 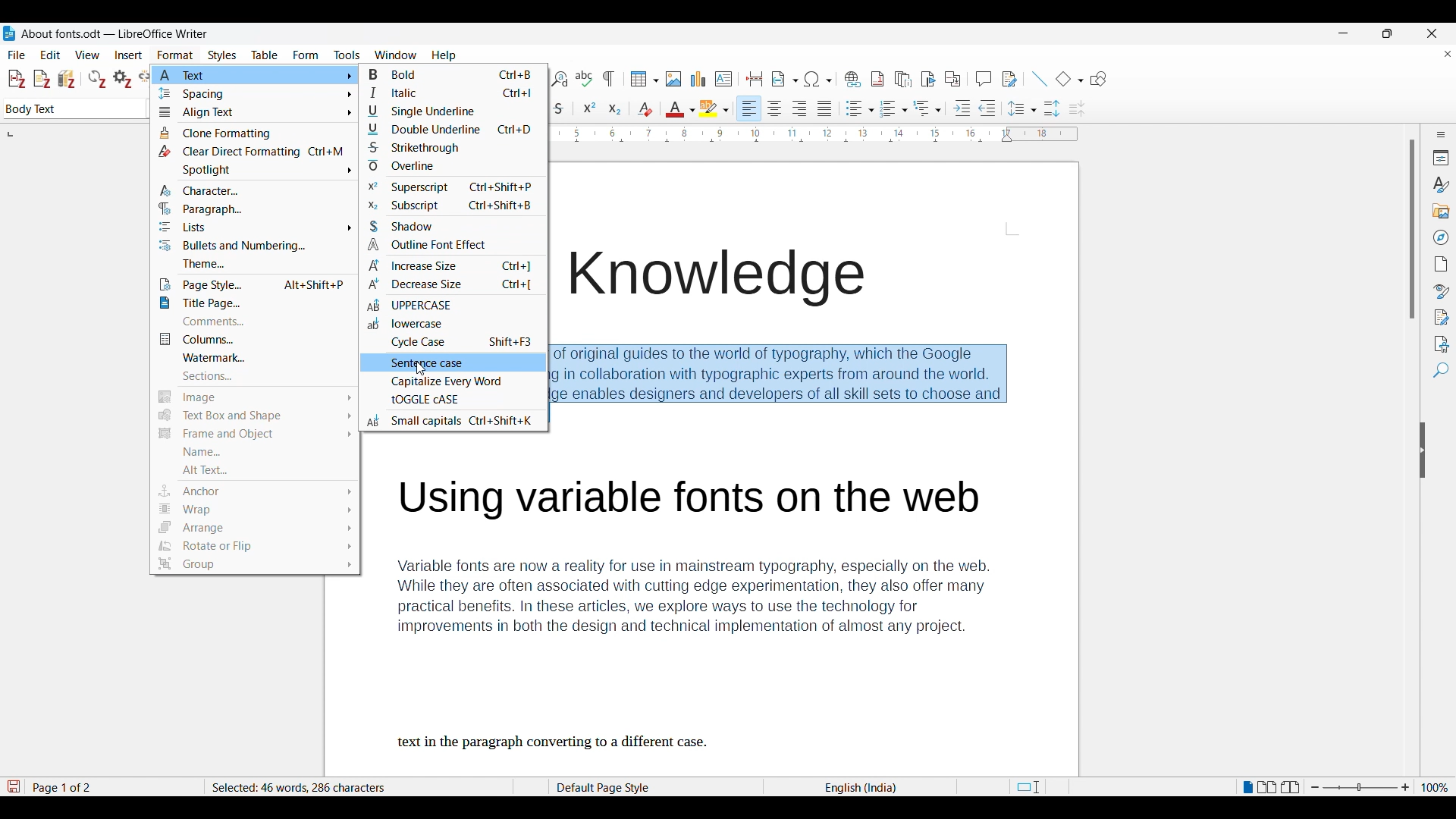 What do you see at coordinates (589, 107) in the screenshot?
I see `Superscript` at bounding box center [589, 107].